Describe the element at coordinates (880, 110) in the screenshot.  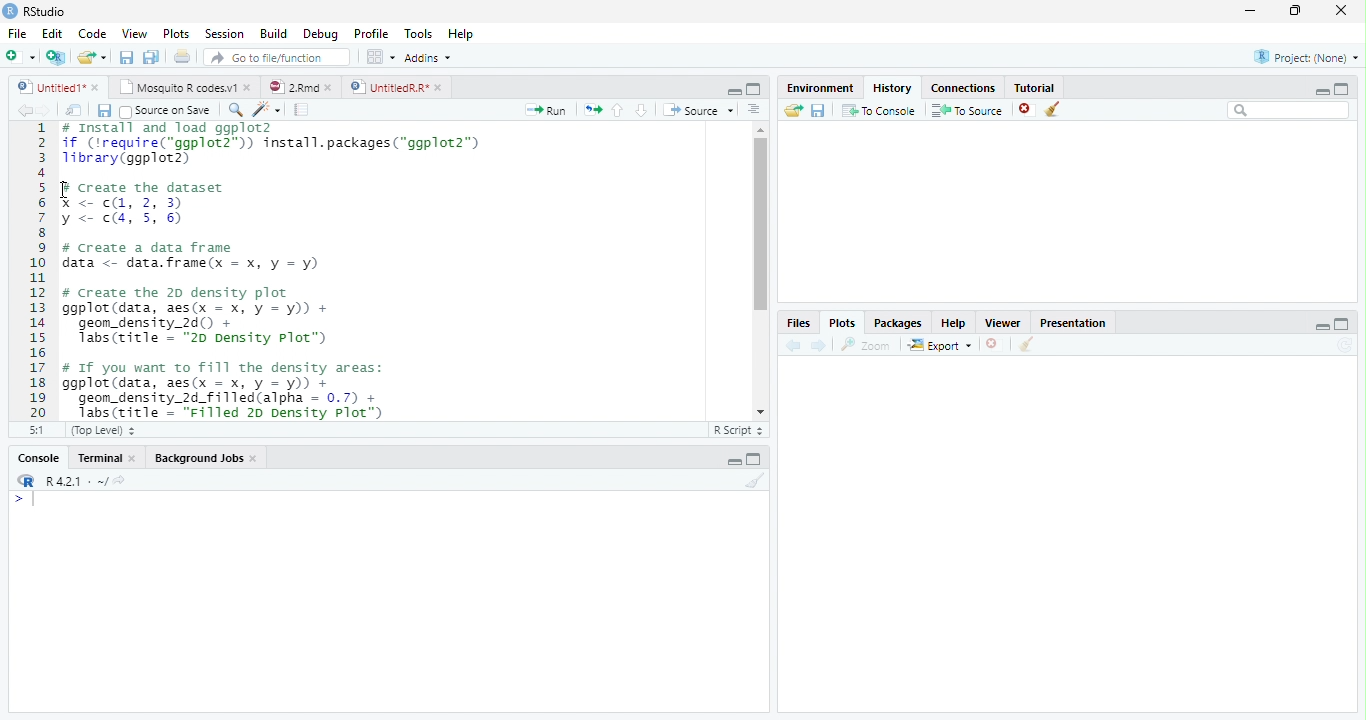
I see `To console` at that location.